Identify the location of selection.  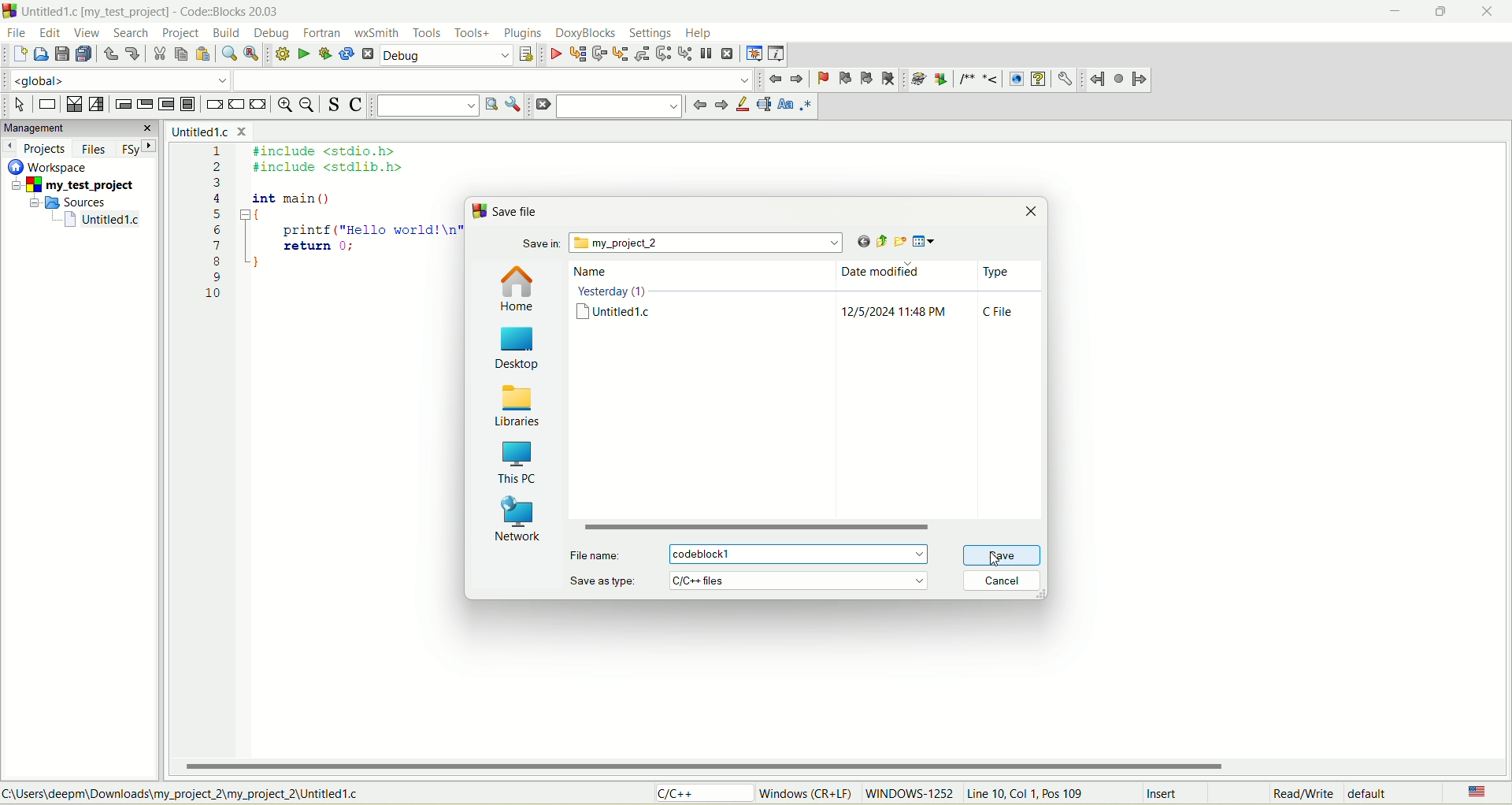
(97, 106).